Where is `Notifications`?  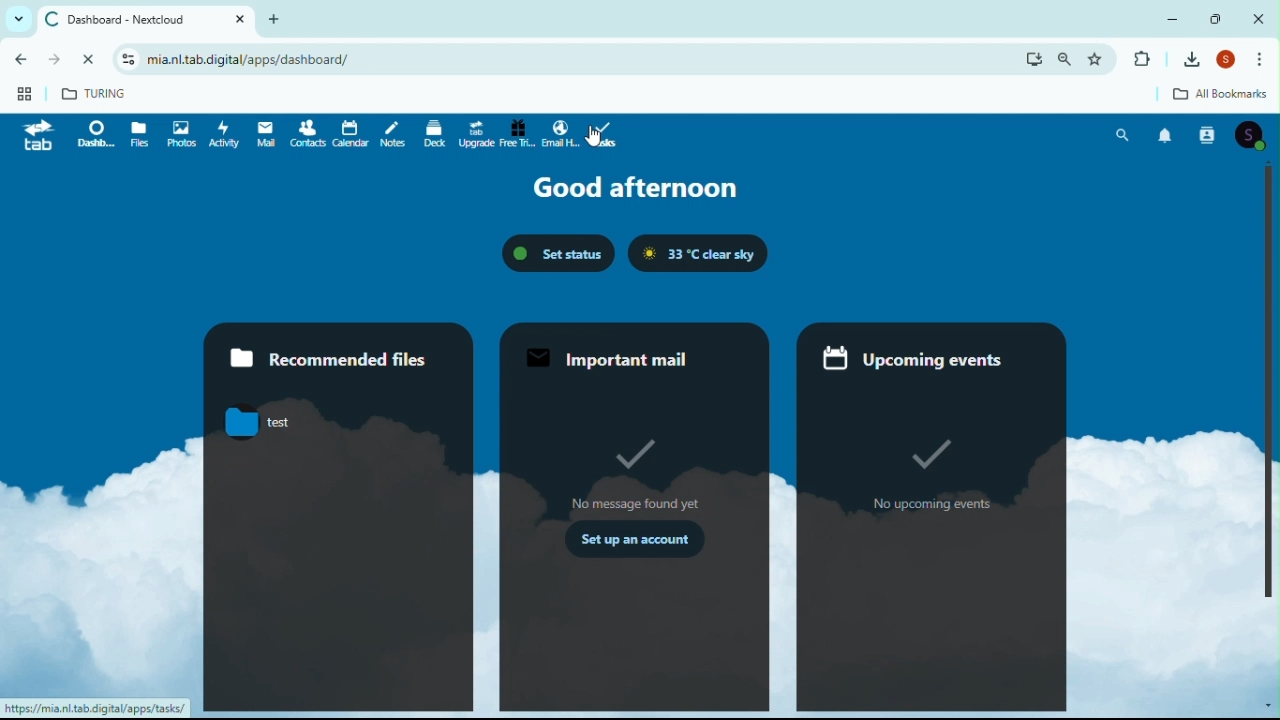 Notifications is located at coordinates (1169, 134).